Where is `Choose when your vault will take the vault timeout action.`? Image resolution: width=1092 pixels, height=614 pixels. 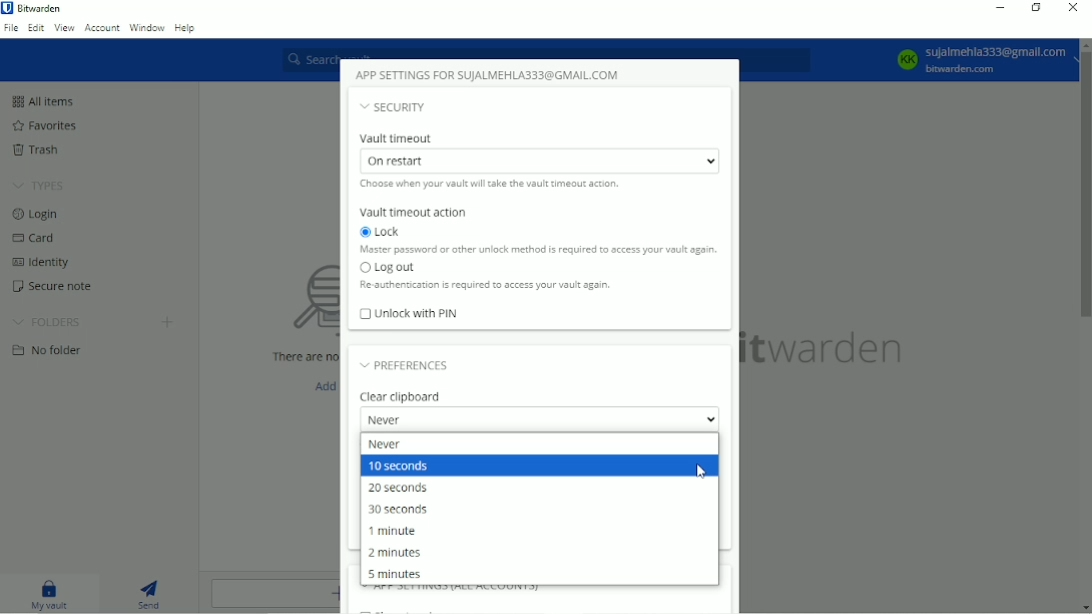
Choose when your vault will take the vault timeout action. is located at coordinates (492, 189).